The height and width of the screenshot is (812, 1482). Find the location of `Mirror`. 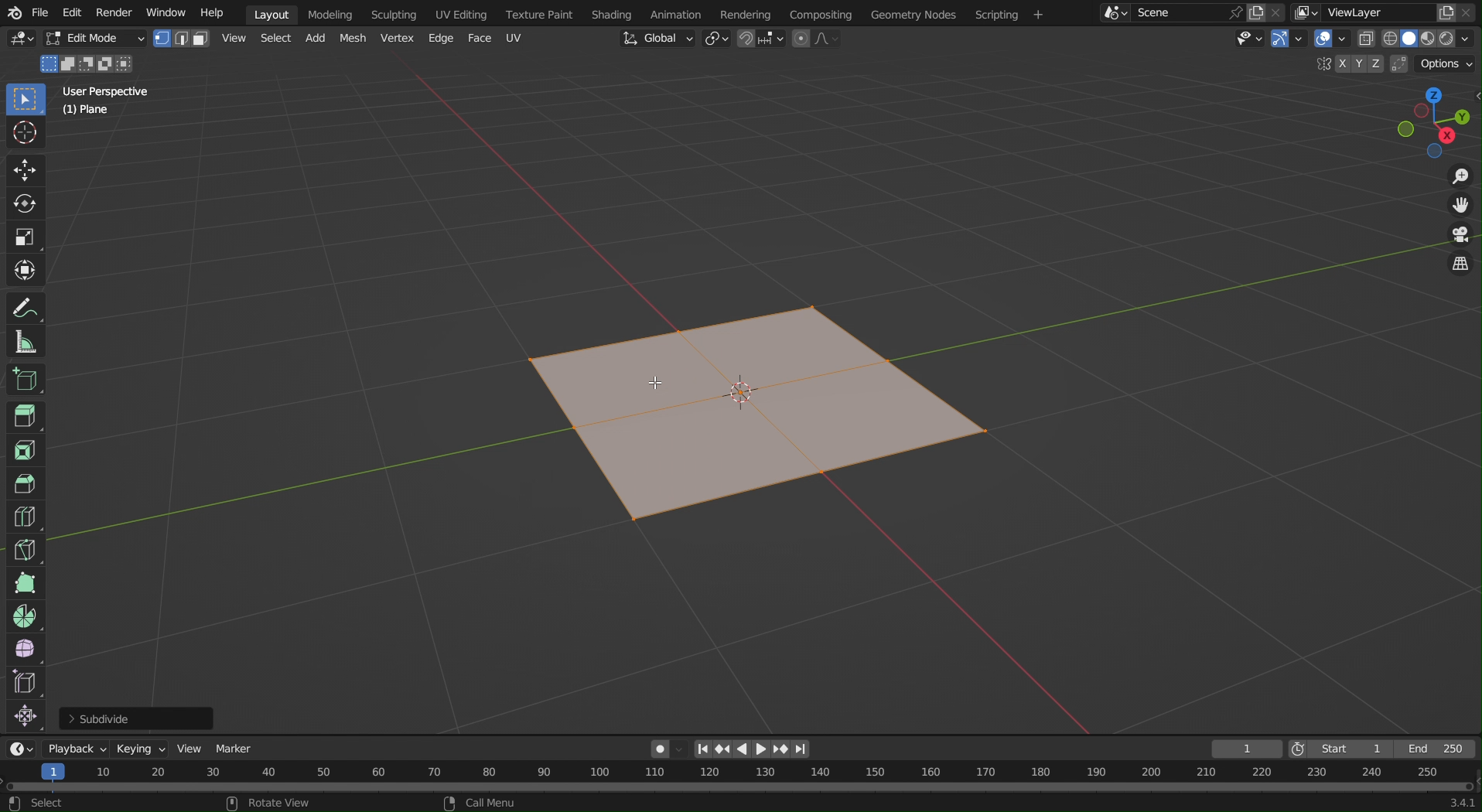

Mirror is located at coordinates (1320, 65).